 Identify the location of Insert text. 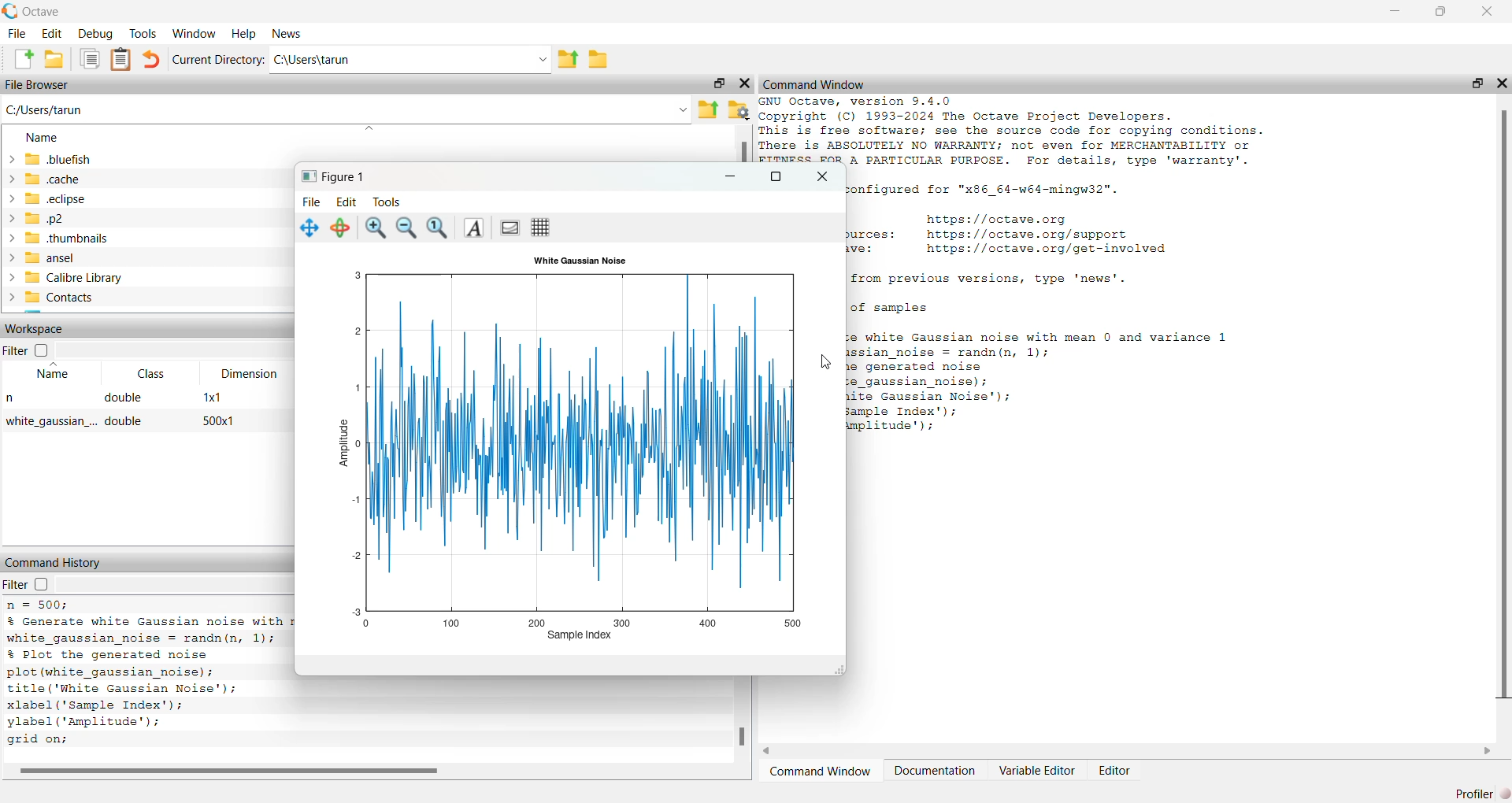
(478, 229).